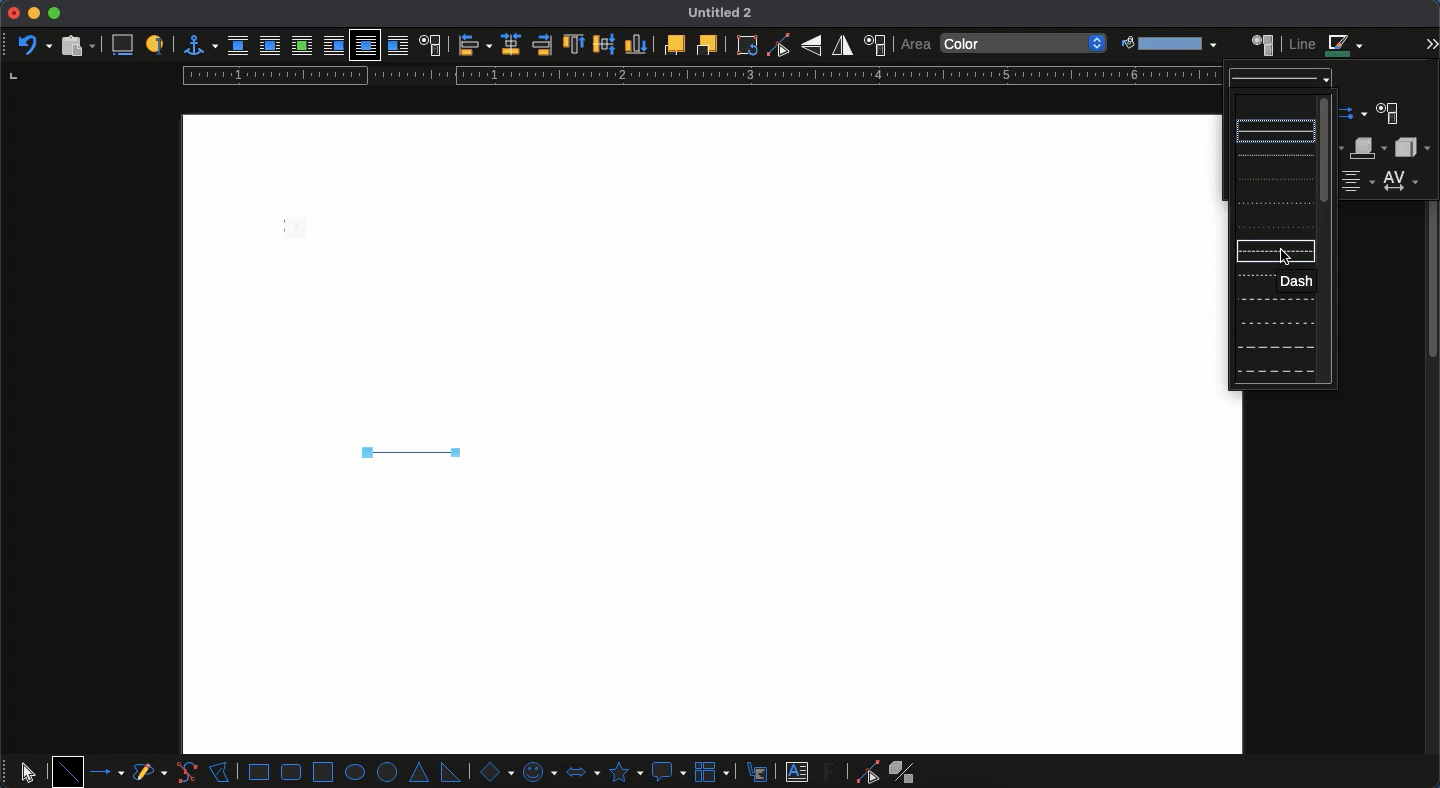 This screenshot has width=1440, height=788. Describe the element at coordinates (33, 43) in the screenshot. I see `undo` at that location.